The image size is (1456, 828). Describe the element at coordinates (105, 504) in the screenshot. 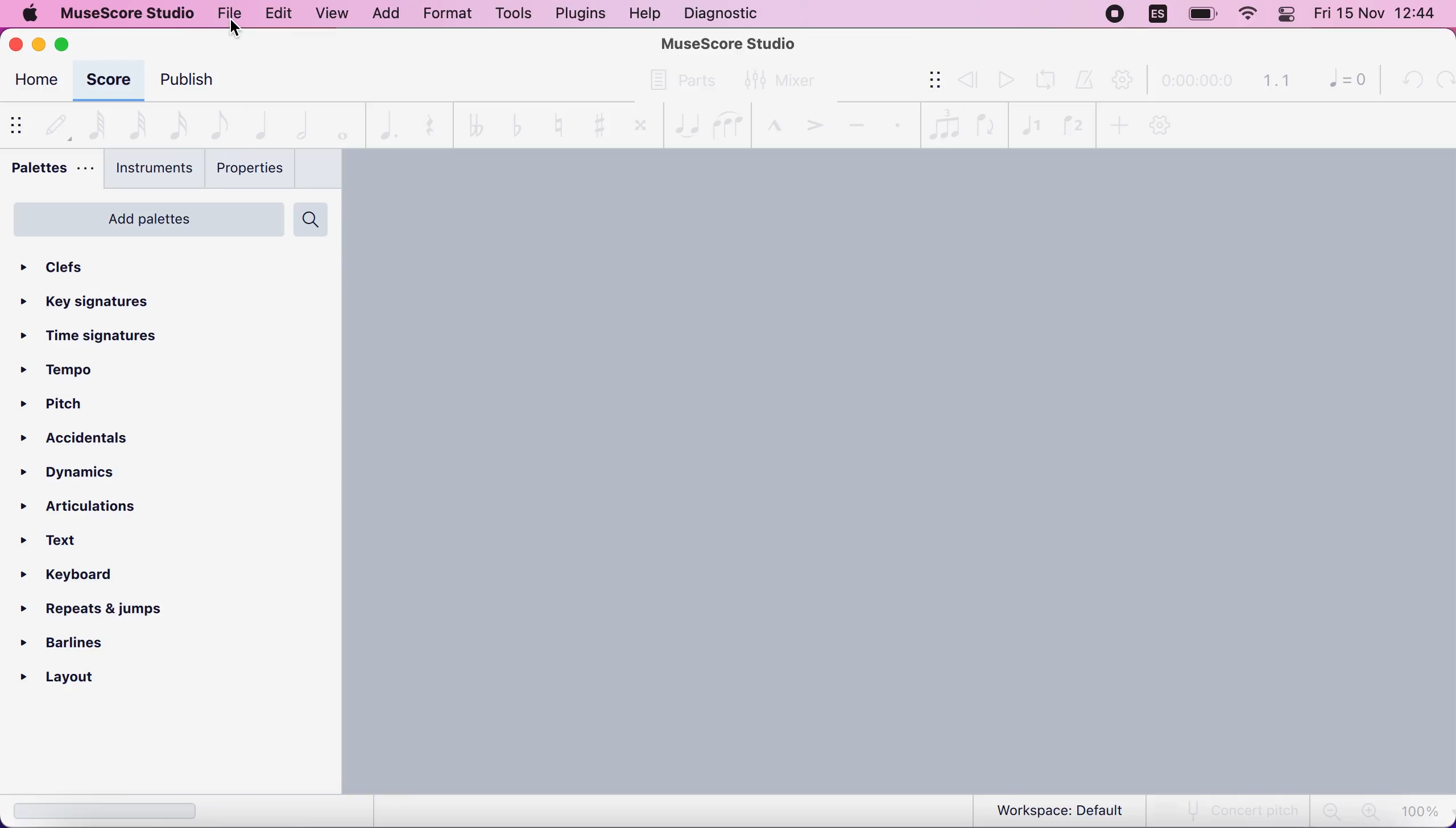

I see `articulations` at that location.